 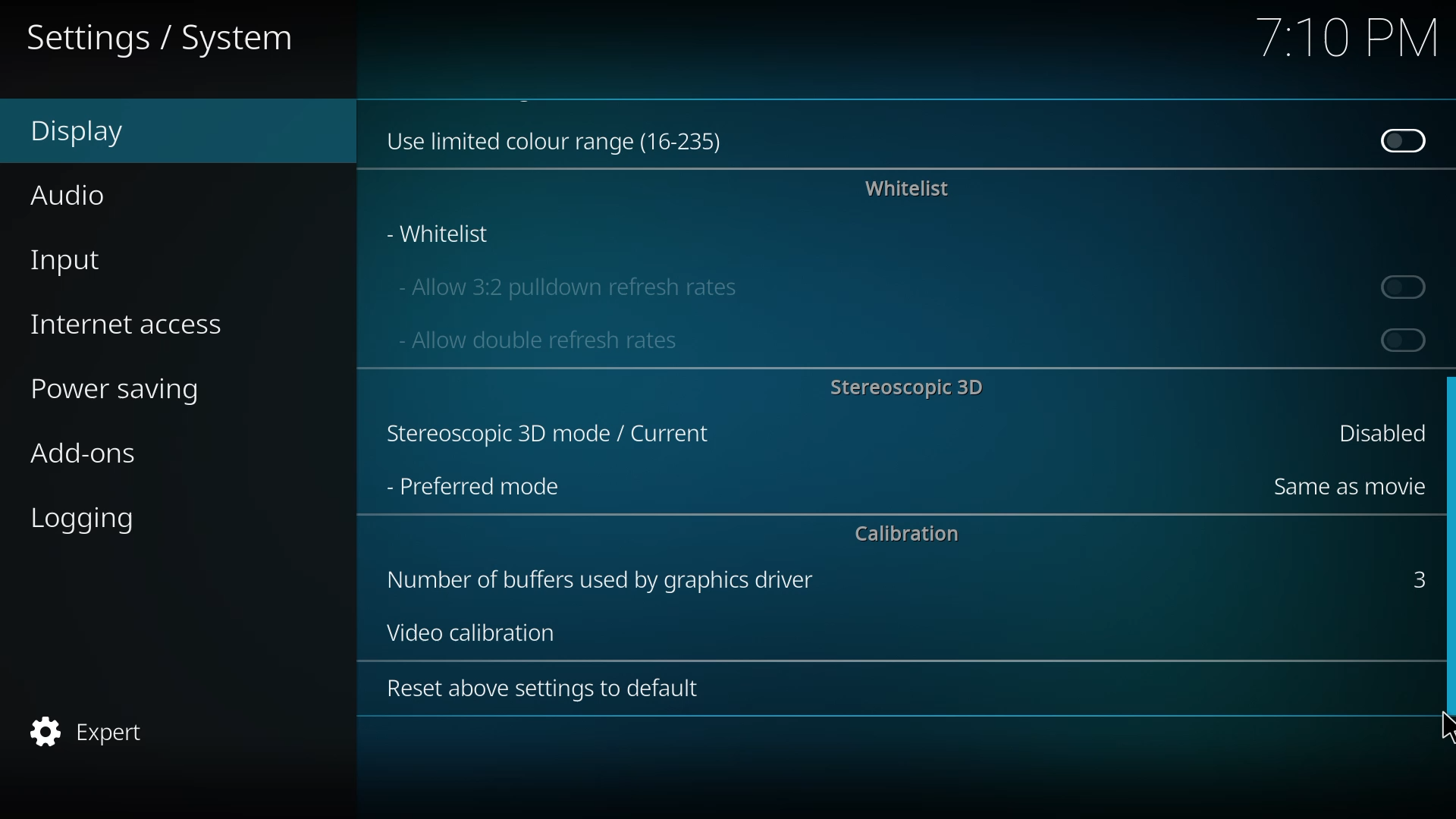 I want to click on internet access, so click(x=130, y=323).